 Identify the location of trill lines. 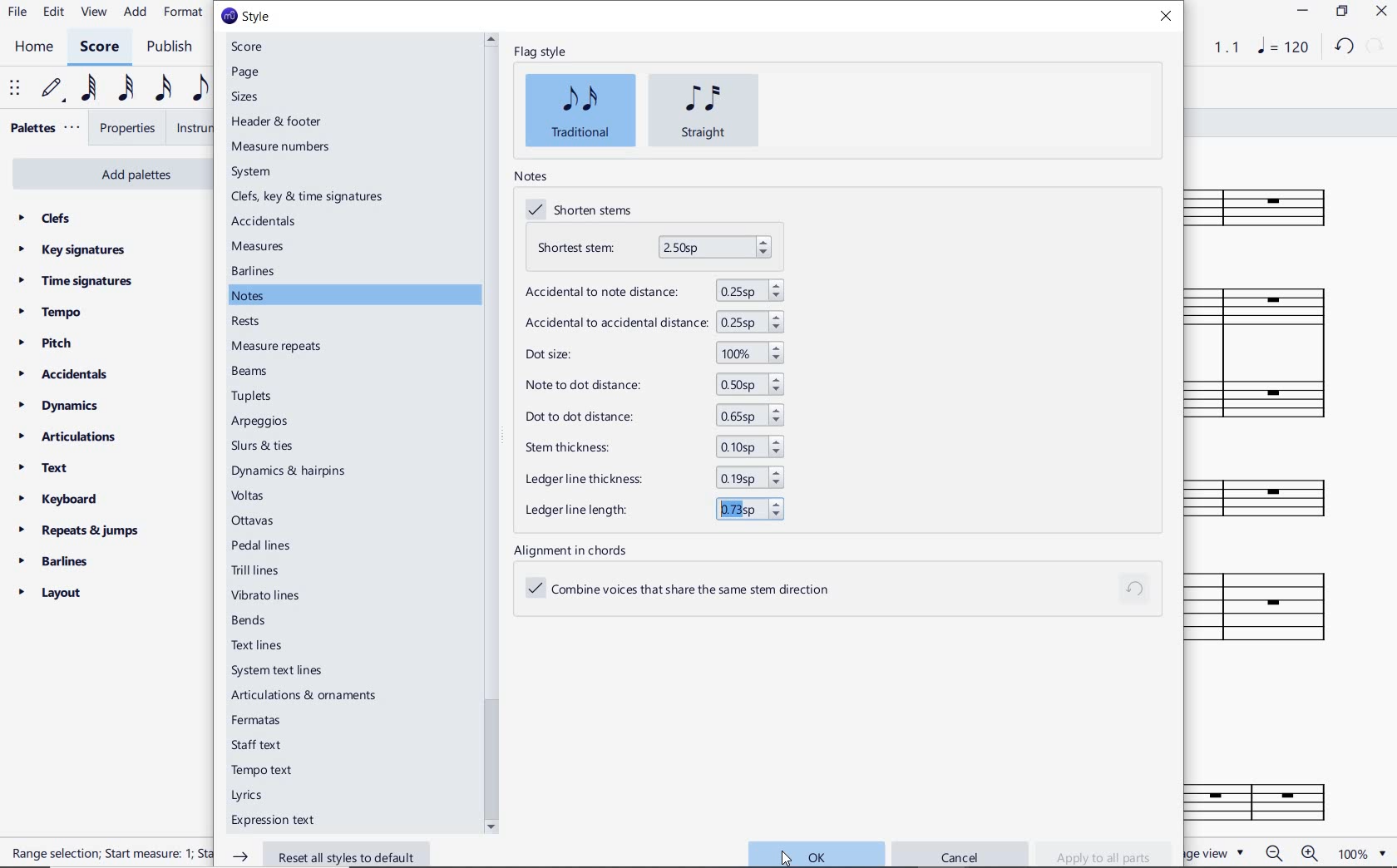
(269, 570).